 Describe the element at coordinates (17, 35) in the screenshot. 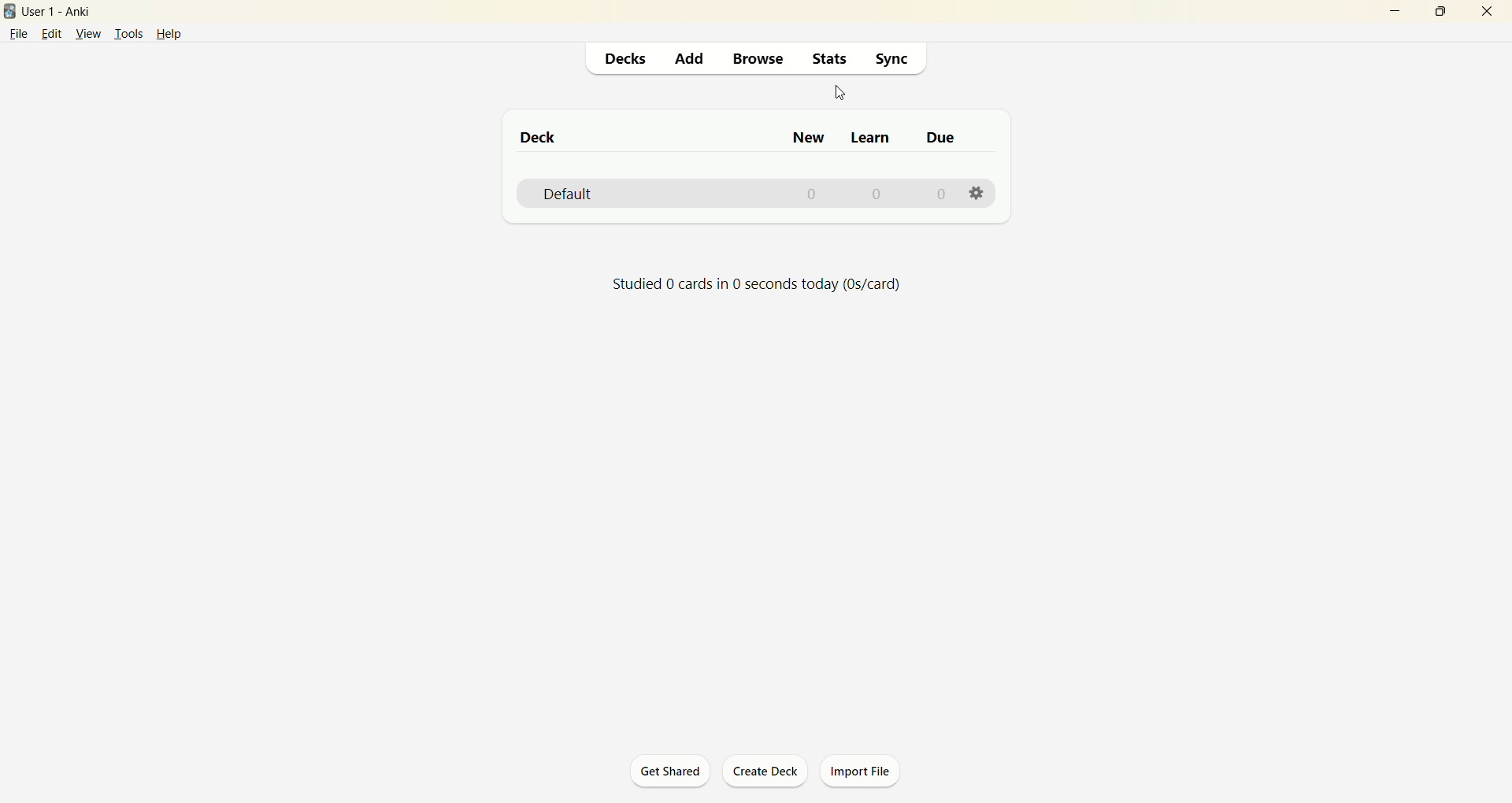

I see `file` at that location.